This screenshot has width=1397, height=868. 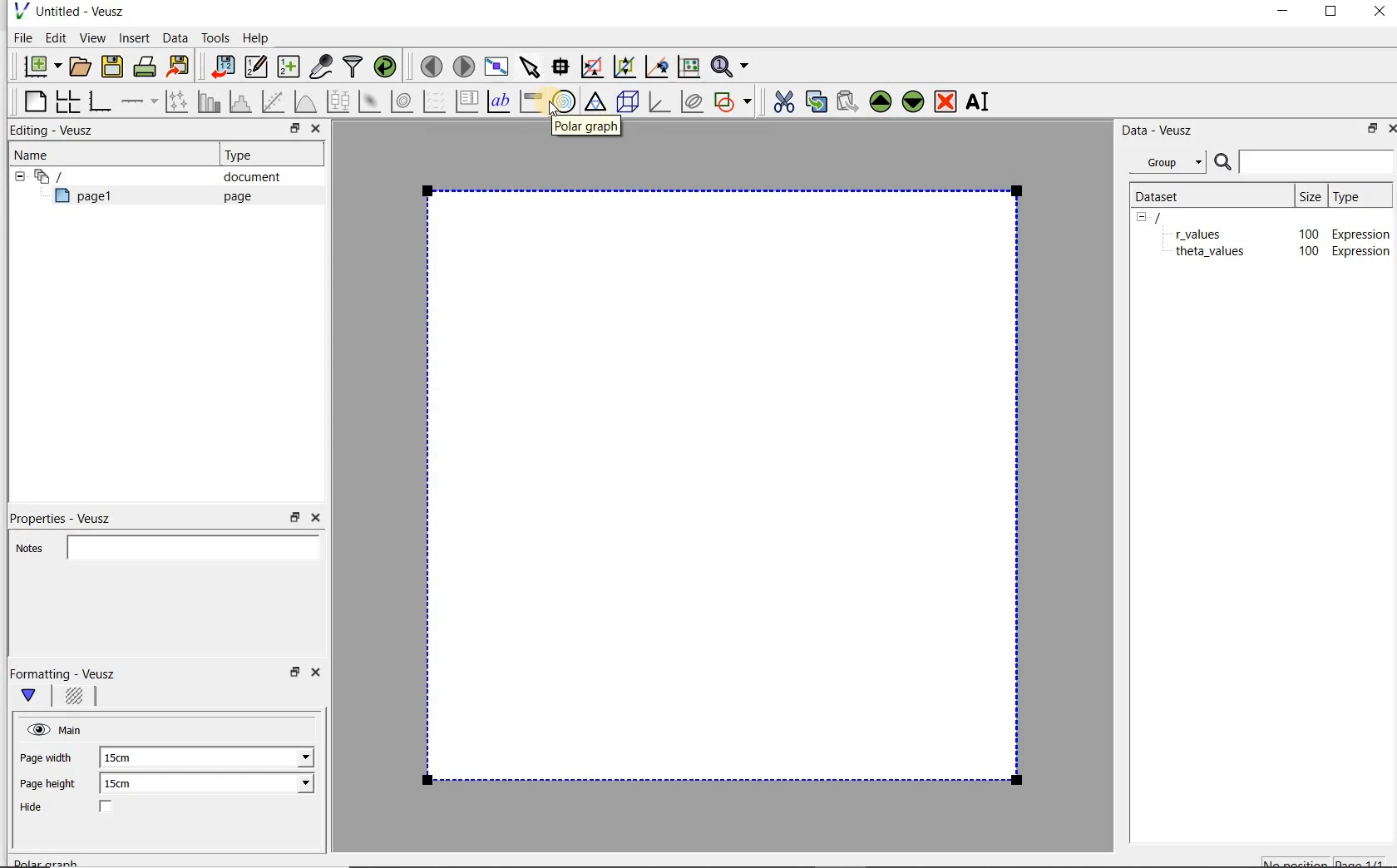 I want to click on add an axis to a plot, so click(x=141, y=101).